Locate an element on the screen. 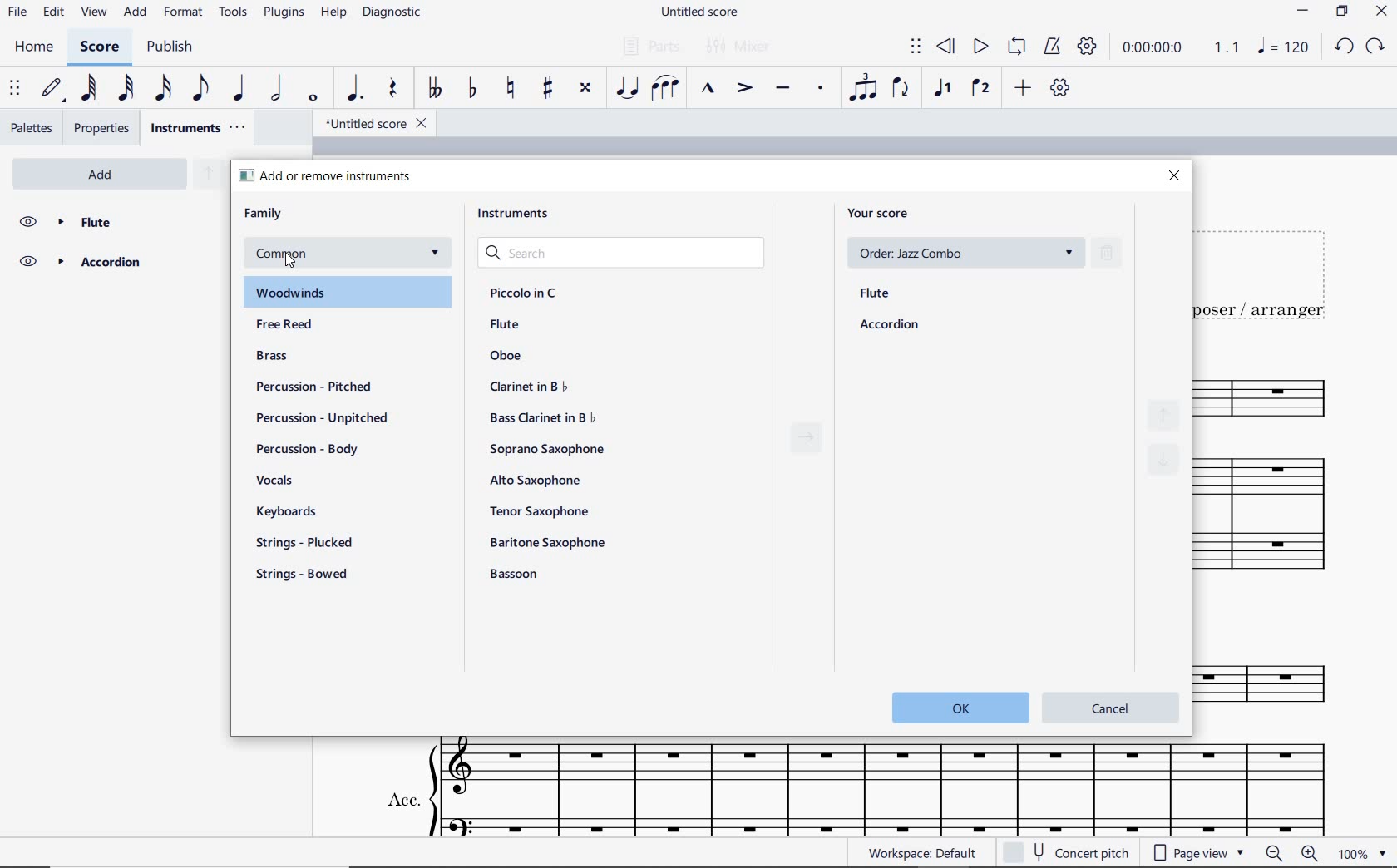  file name is located at coordinates (369, 122).